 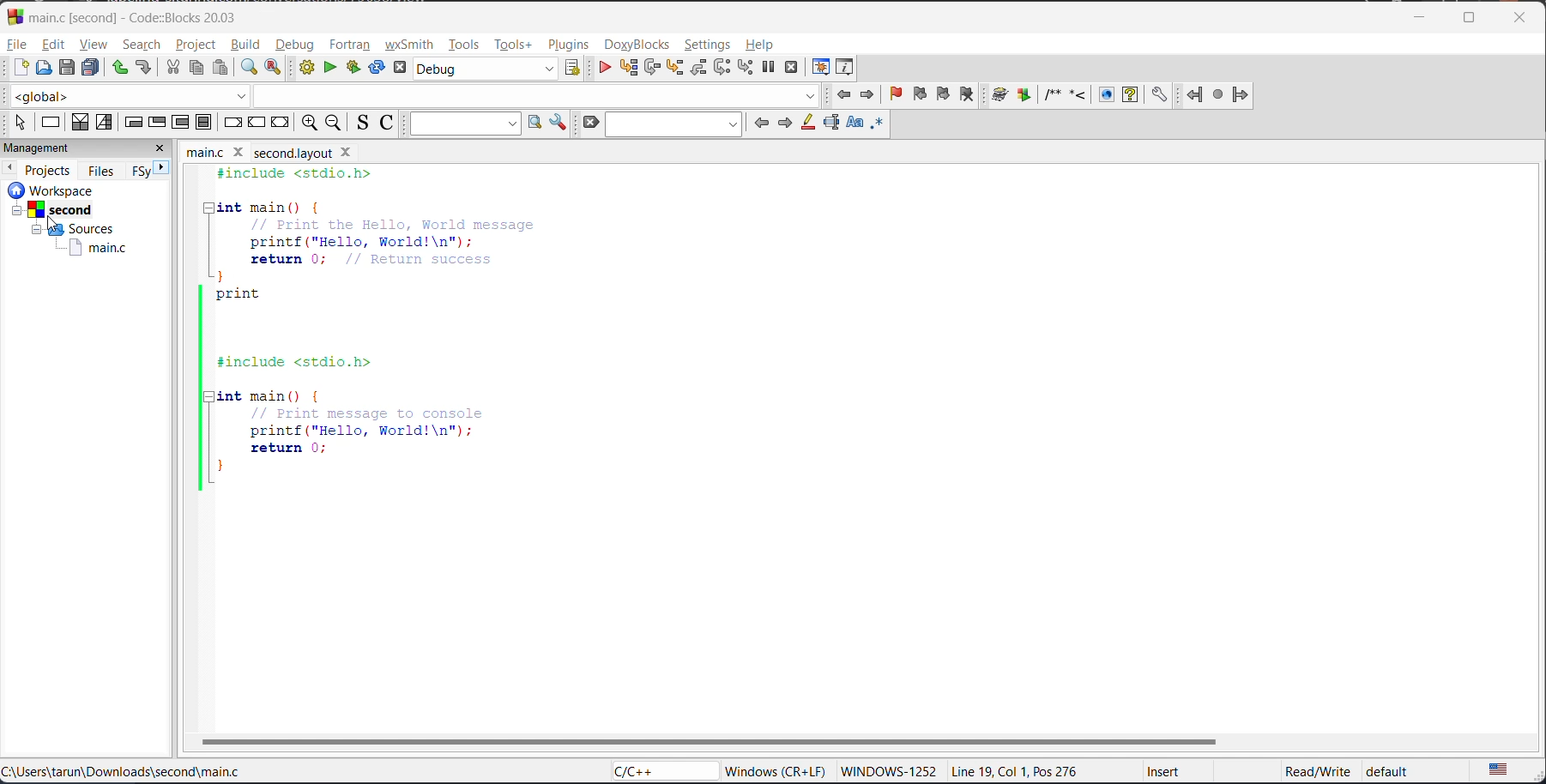 I want to click on search, so click(x=139, y=45).